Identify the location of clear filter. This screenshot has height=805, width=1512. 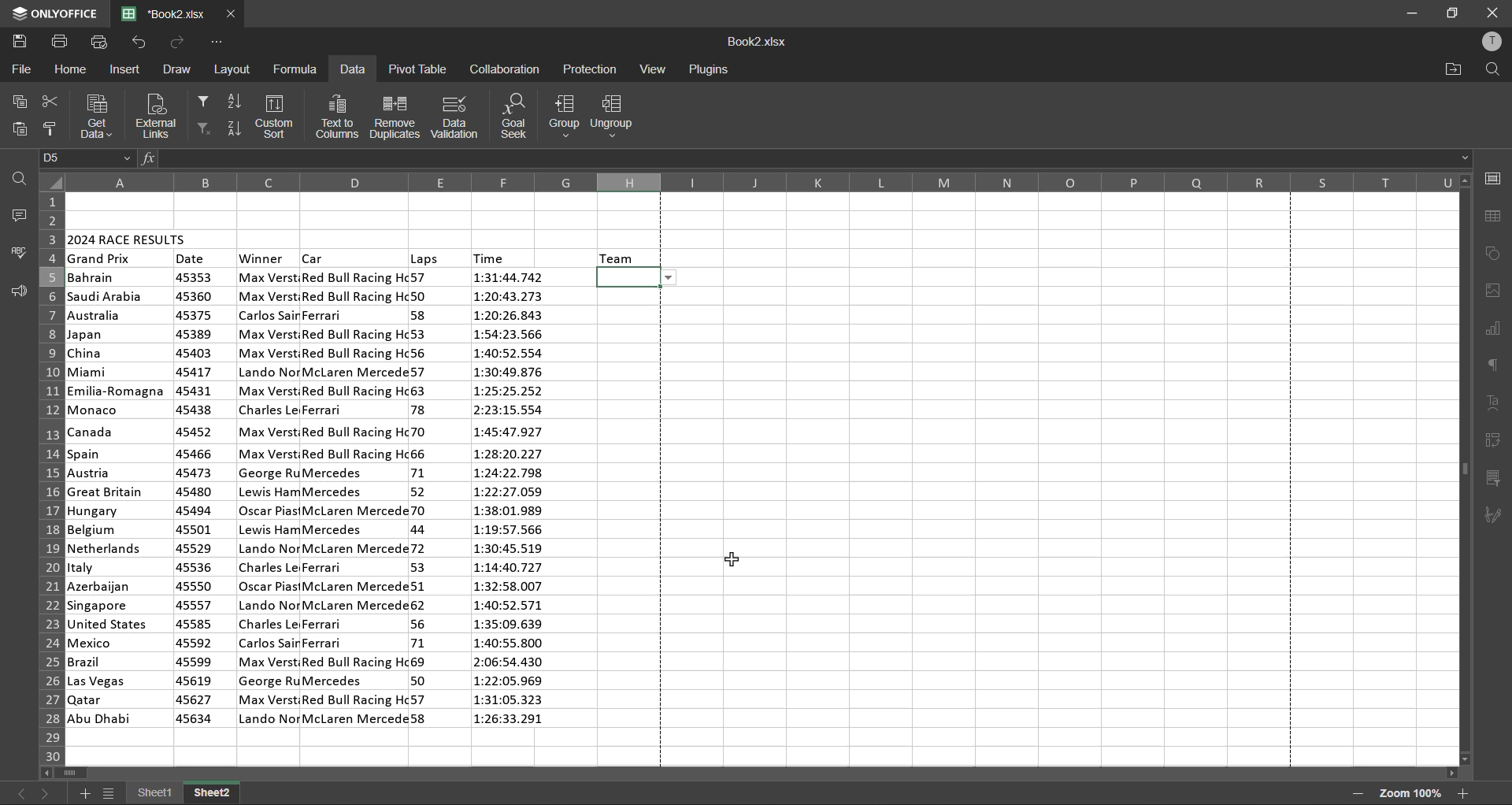
(203, 129).